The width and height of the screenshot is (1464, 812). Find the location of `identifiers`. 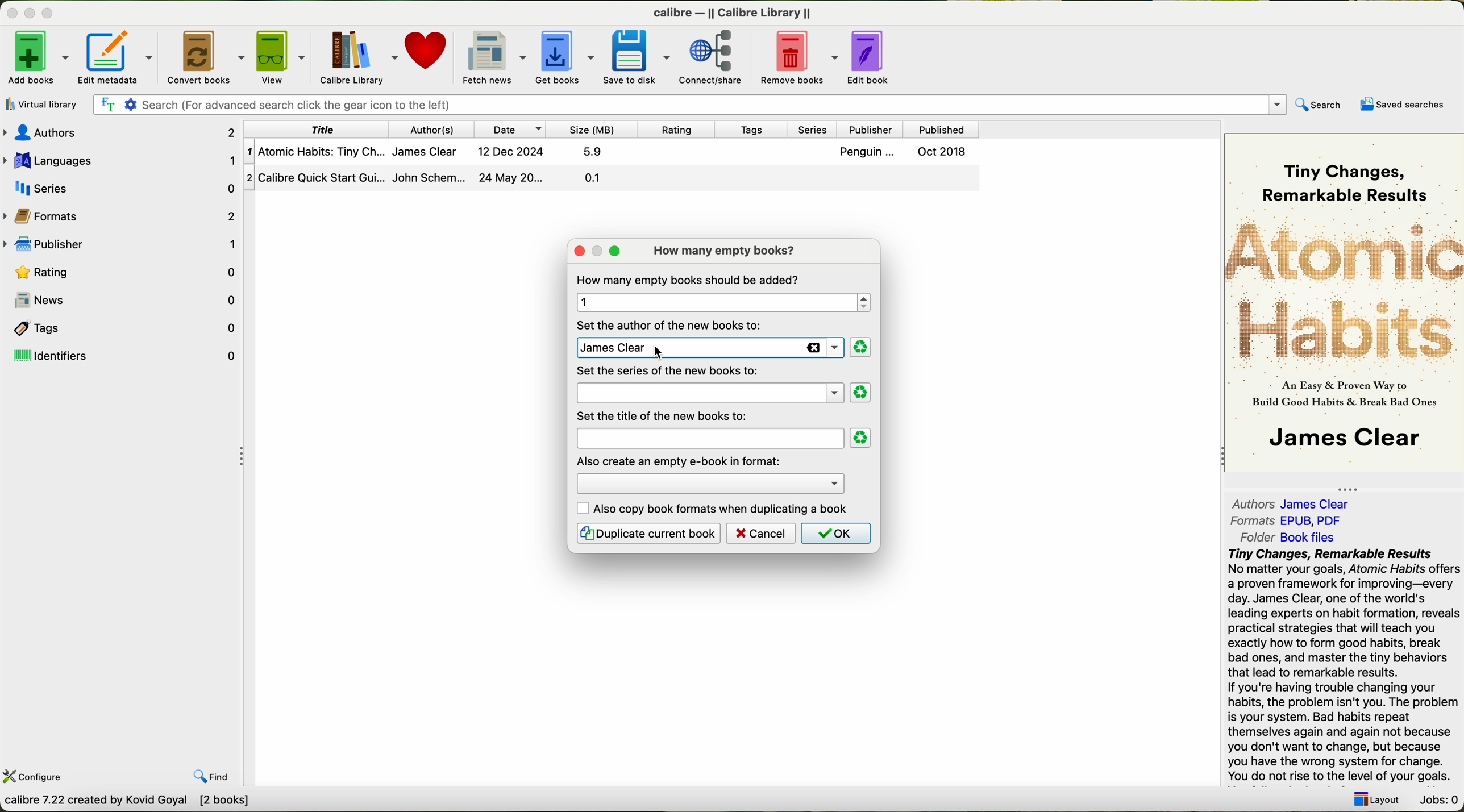

identifiers is located at coordinates (123, 356).